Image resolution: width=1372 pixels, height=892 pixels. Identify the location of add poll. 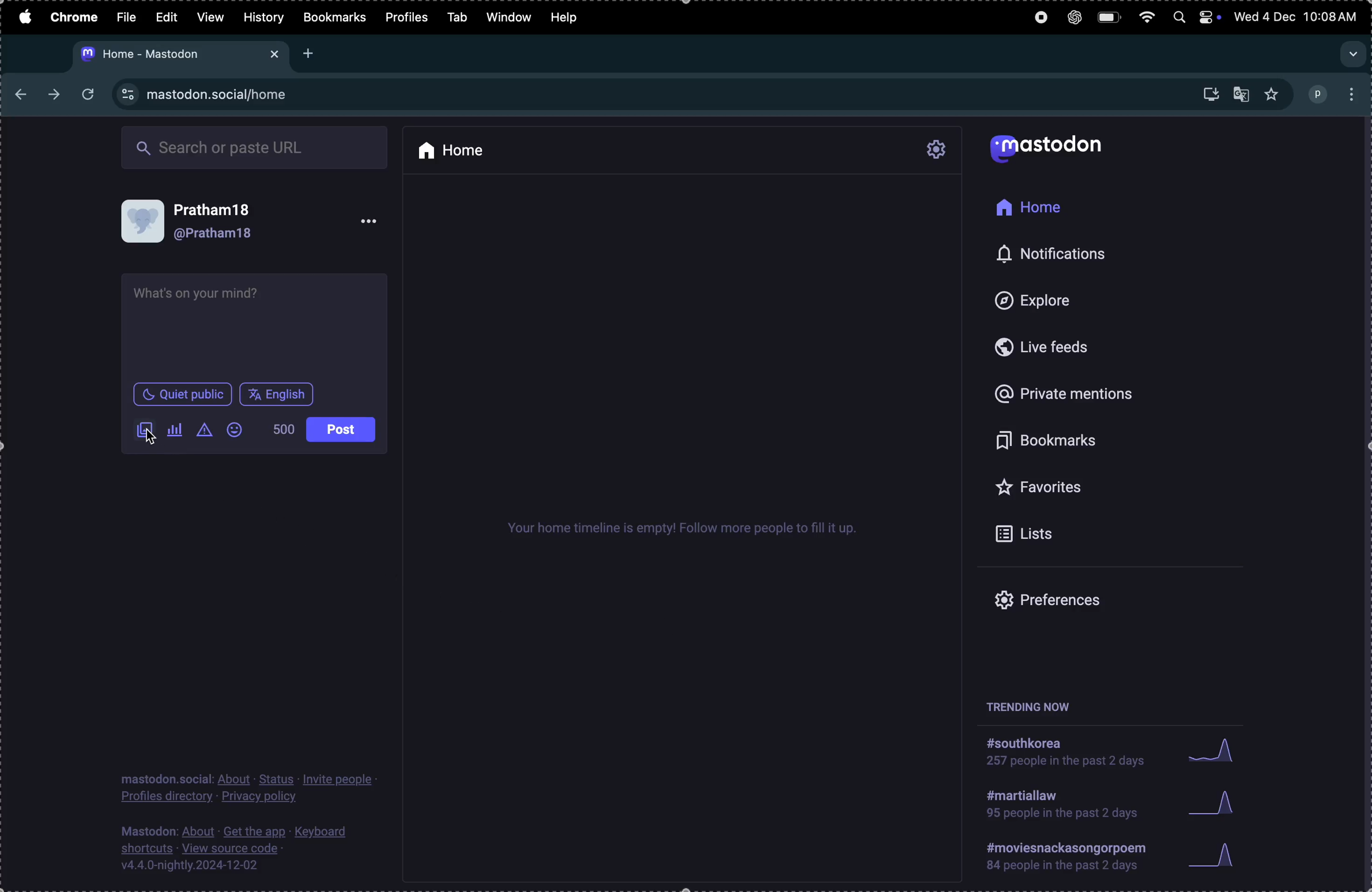
(176, 429).